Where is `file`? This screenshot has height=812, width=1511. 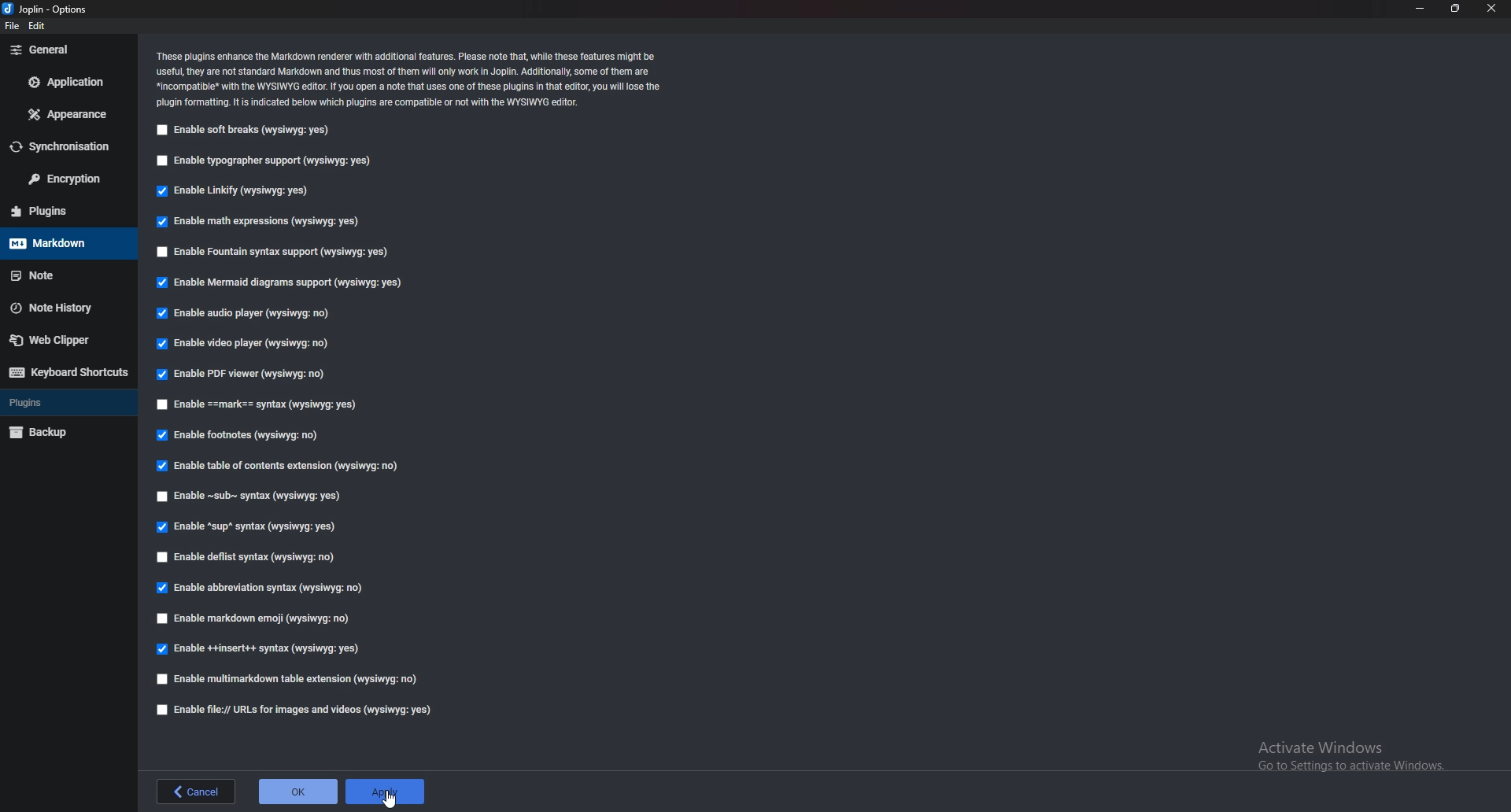 file is located at coordinates (13, 26).